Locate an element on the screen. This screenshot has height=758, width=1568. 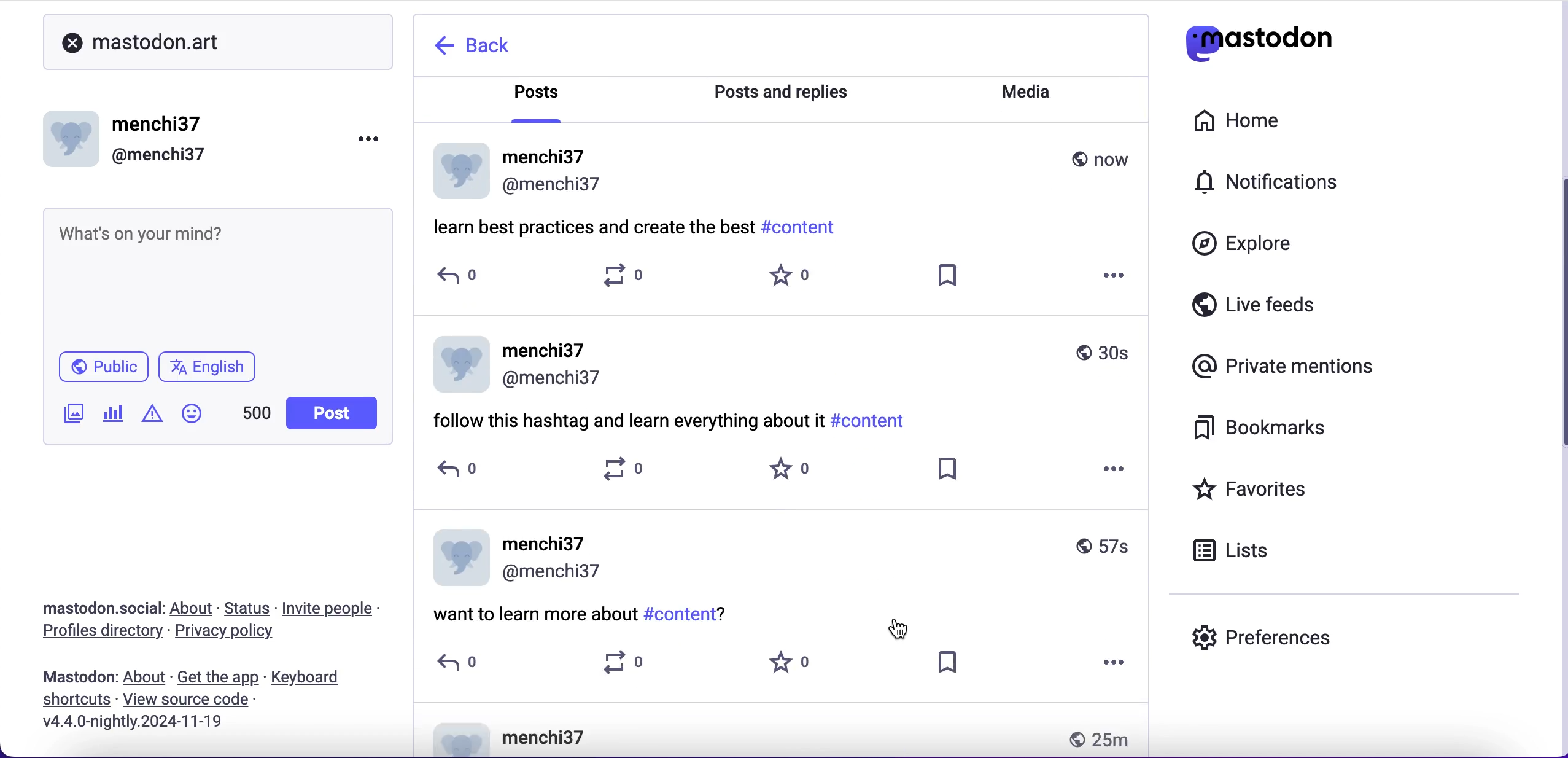
cursor is located at coordinates (905, 624).